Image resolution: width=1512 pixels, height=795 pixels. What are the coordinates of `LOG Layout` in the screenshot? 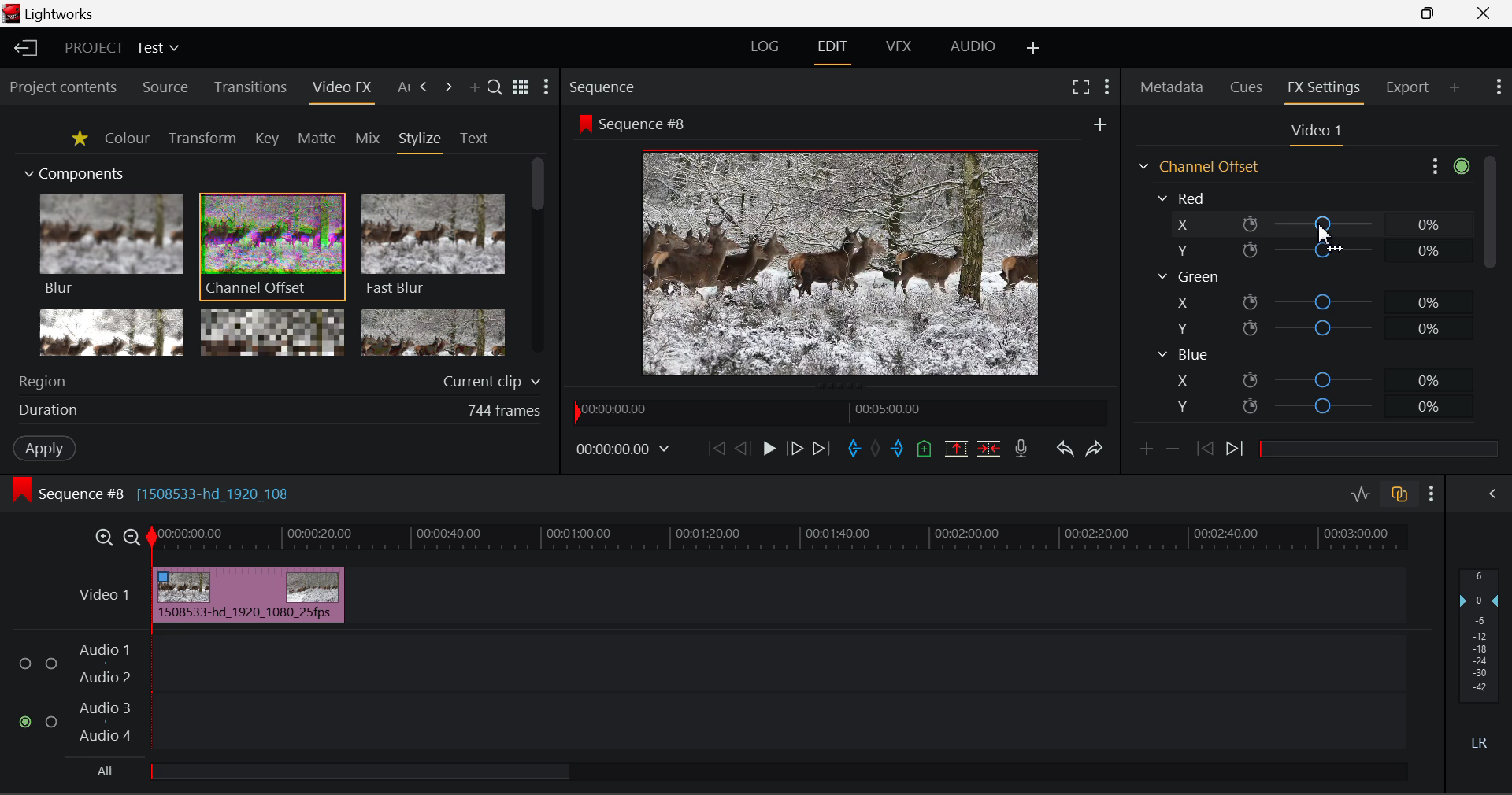 It's located at (765, 50).